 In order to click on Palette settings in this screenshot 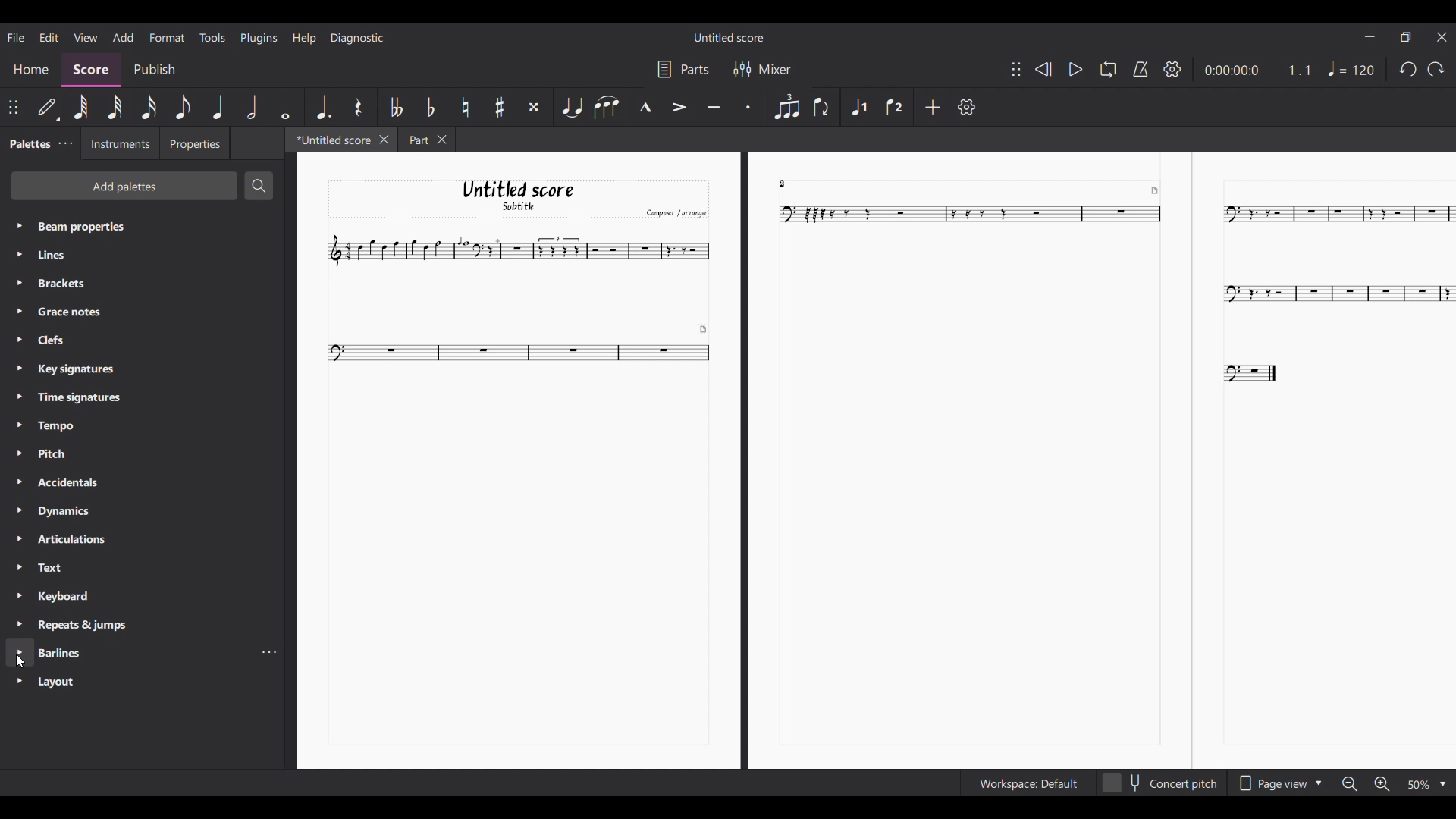, I will do `click(56, 567)`.